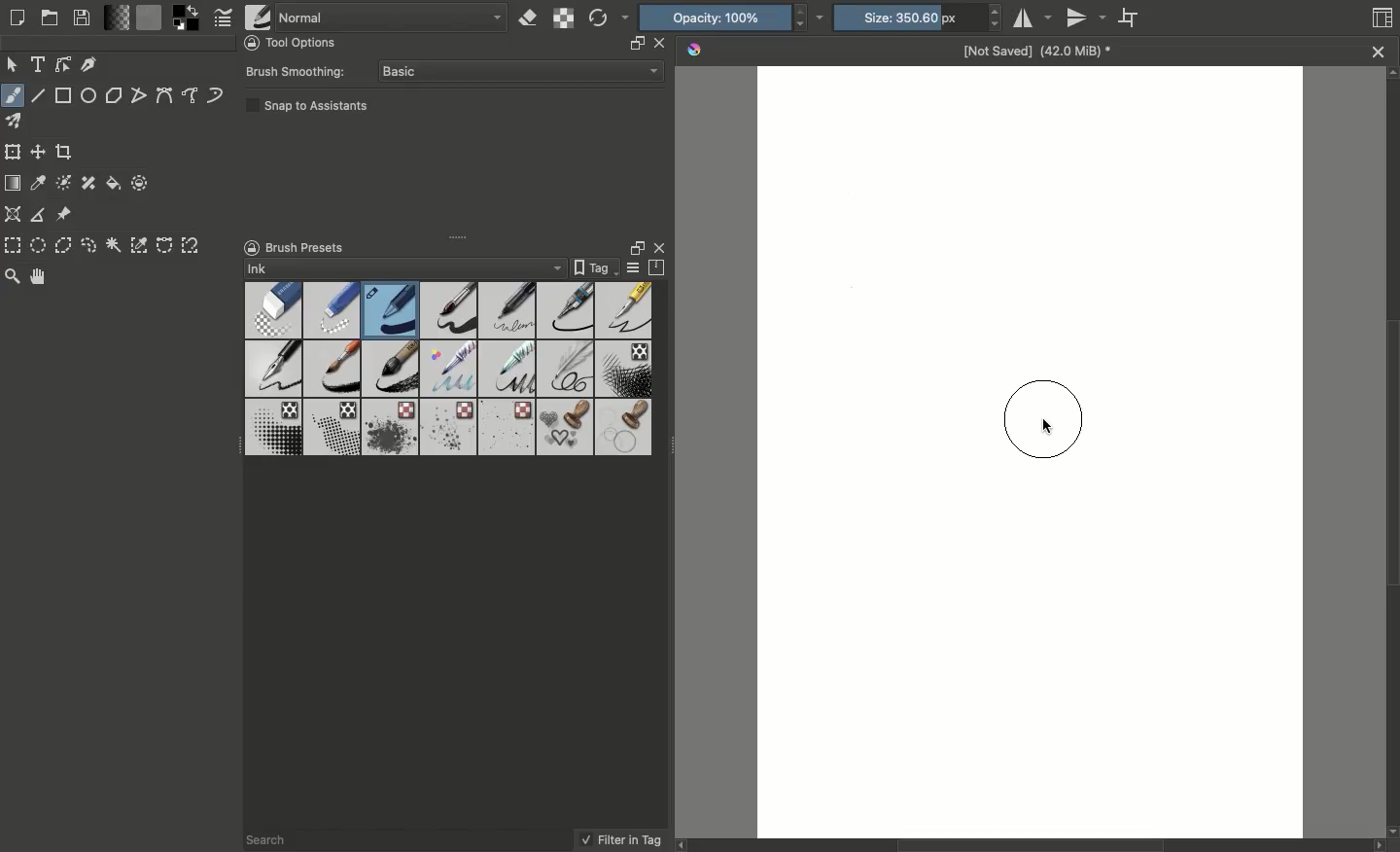 This screenshot has width=1400, height=852. Describe the element at coordinates (1036, 844) in the screenshot. I see `Scroll` at that location.